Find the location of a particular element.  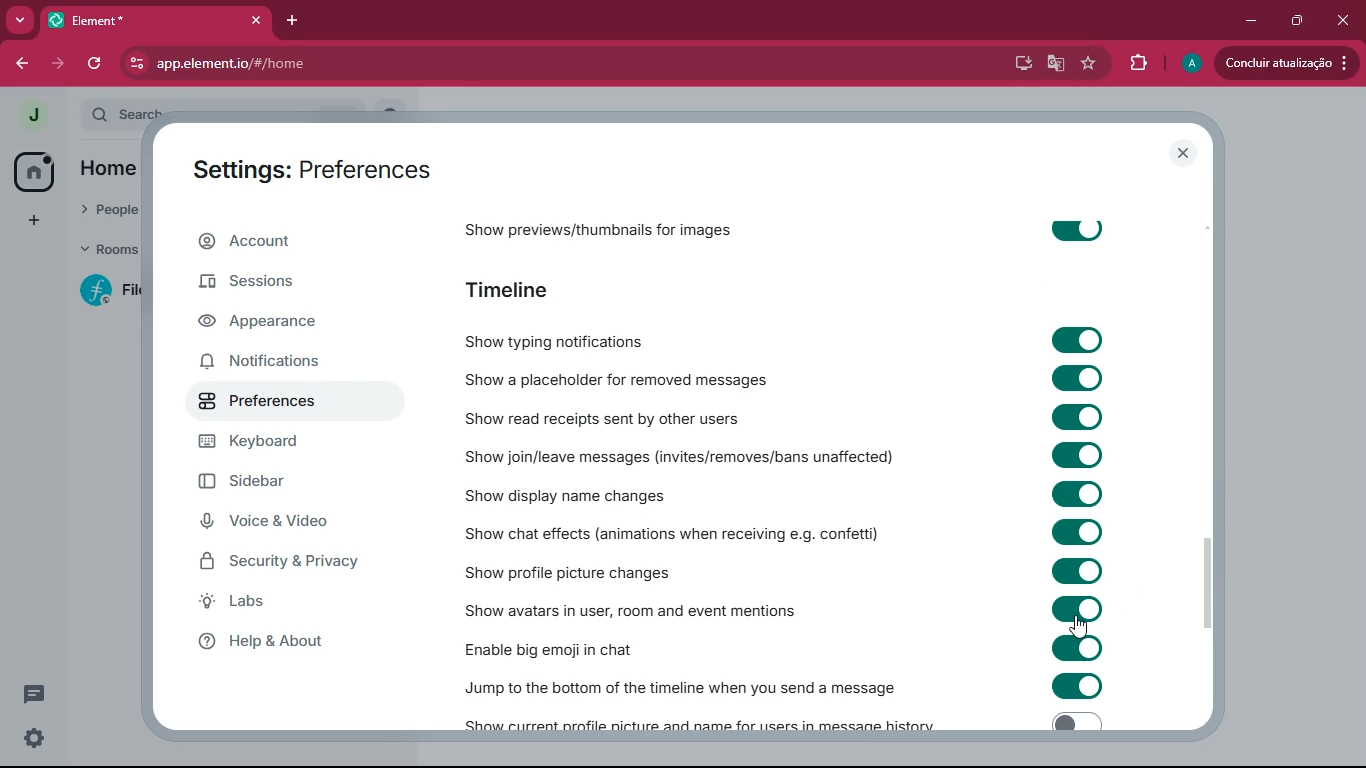

notifications is located at coordinates (282, 362).